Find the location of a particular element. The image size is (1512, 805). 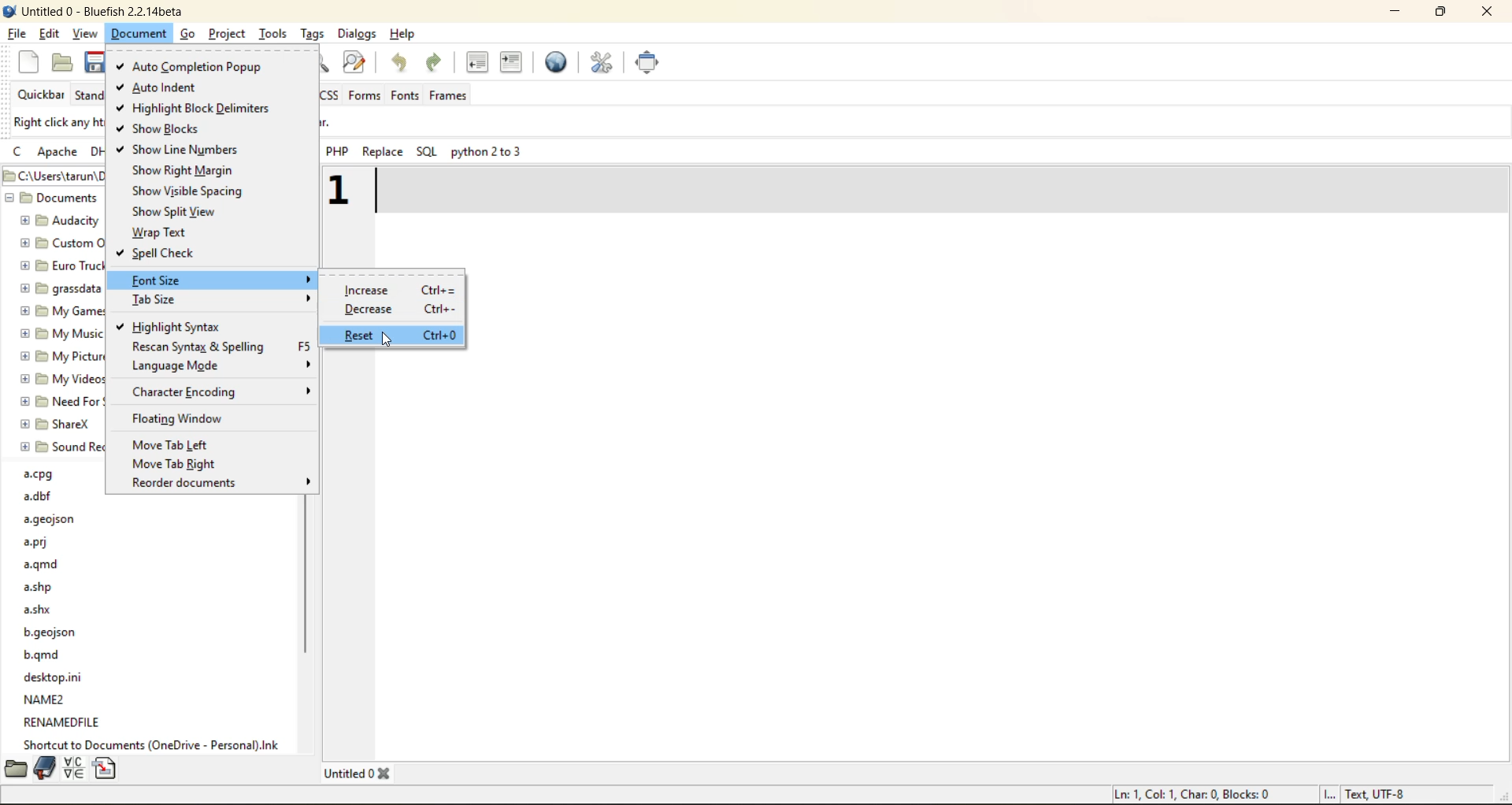

my games is located at coordinates (65, 311).